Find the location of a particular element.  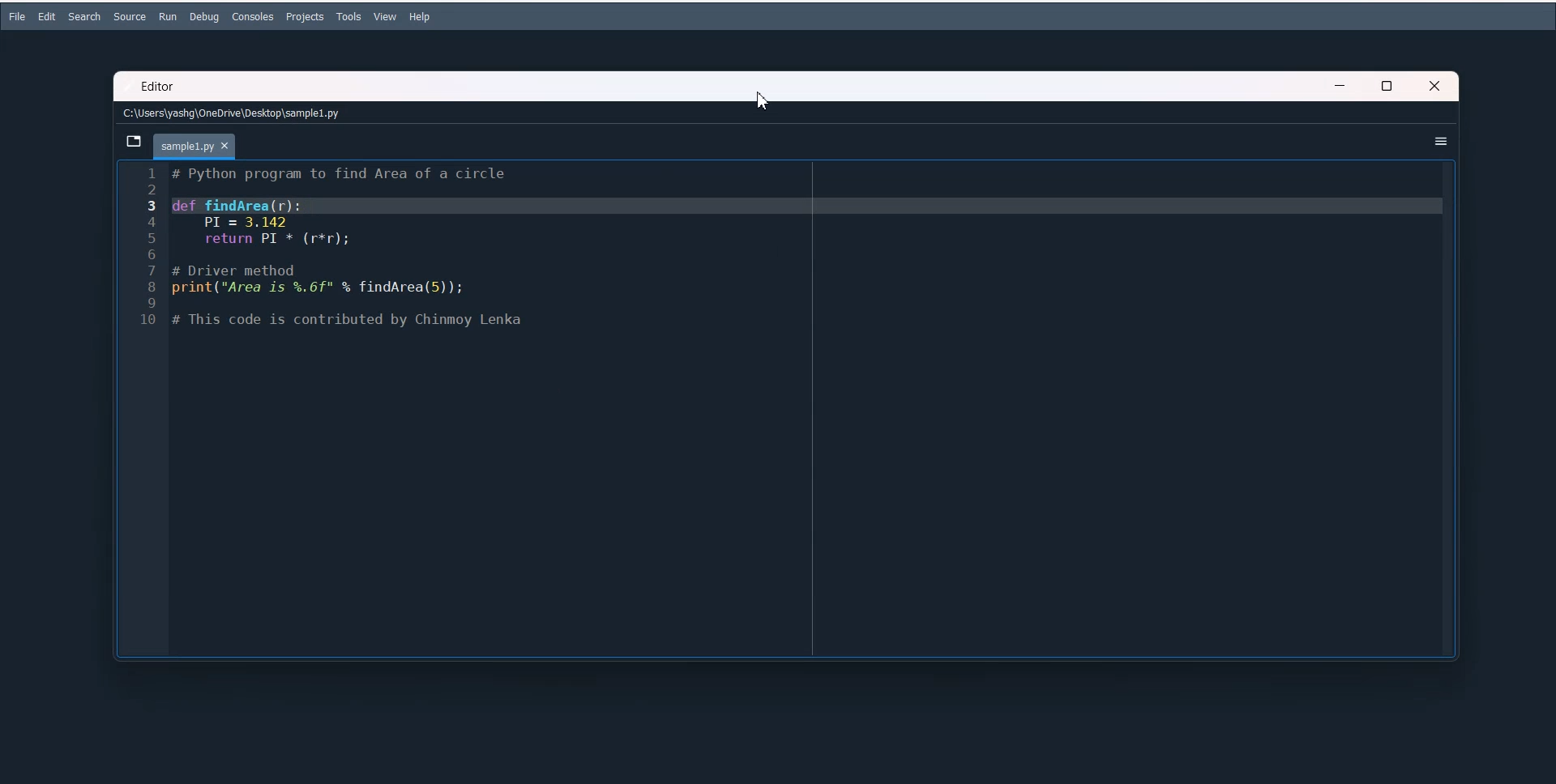

File is located at coordinates (16, 16).